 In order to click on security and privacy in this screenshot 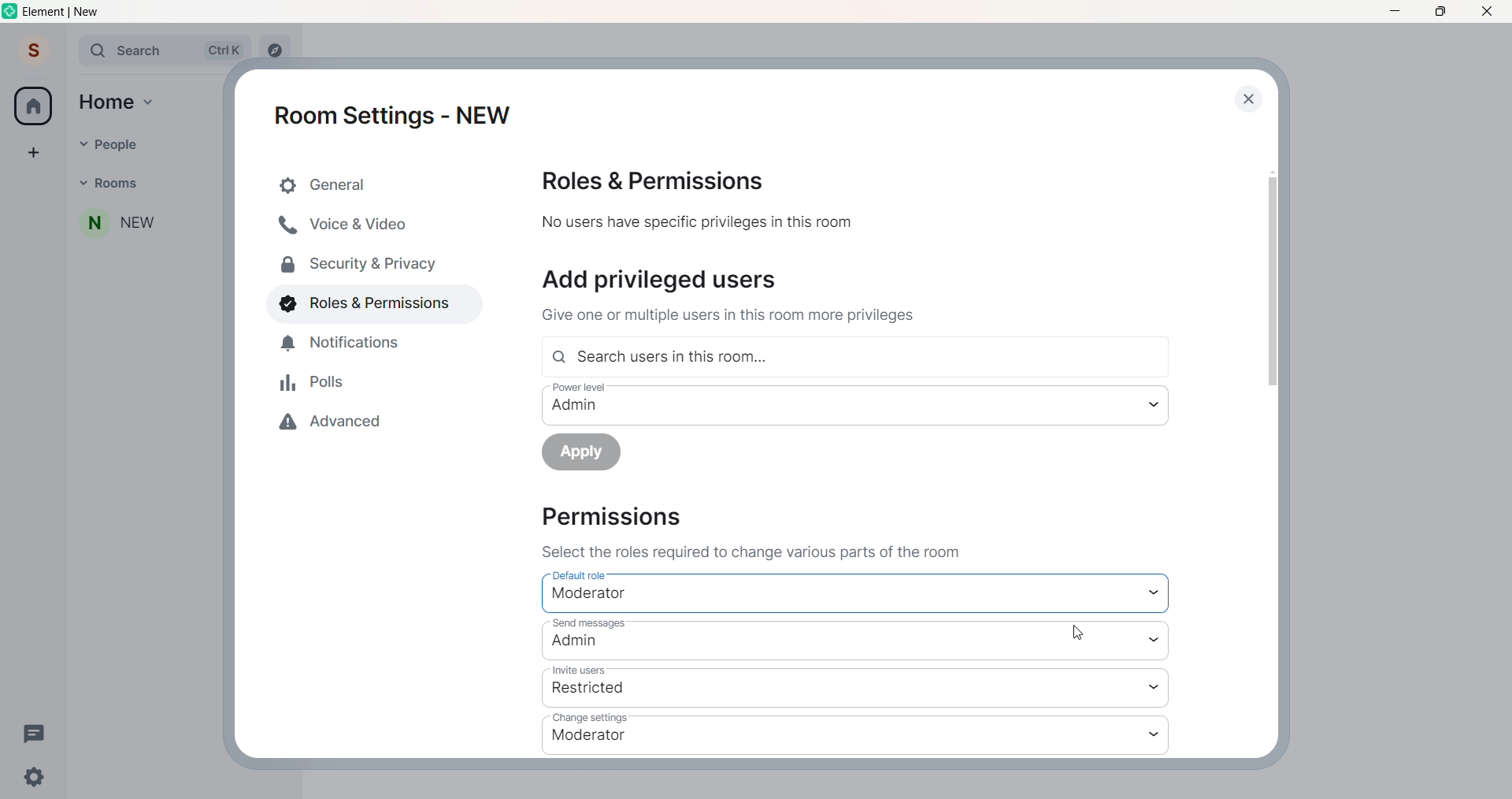, I will do `click(351, 262)`.